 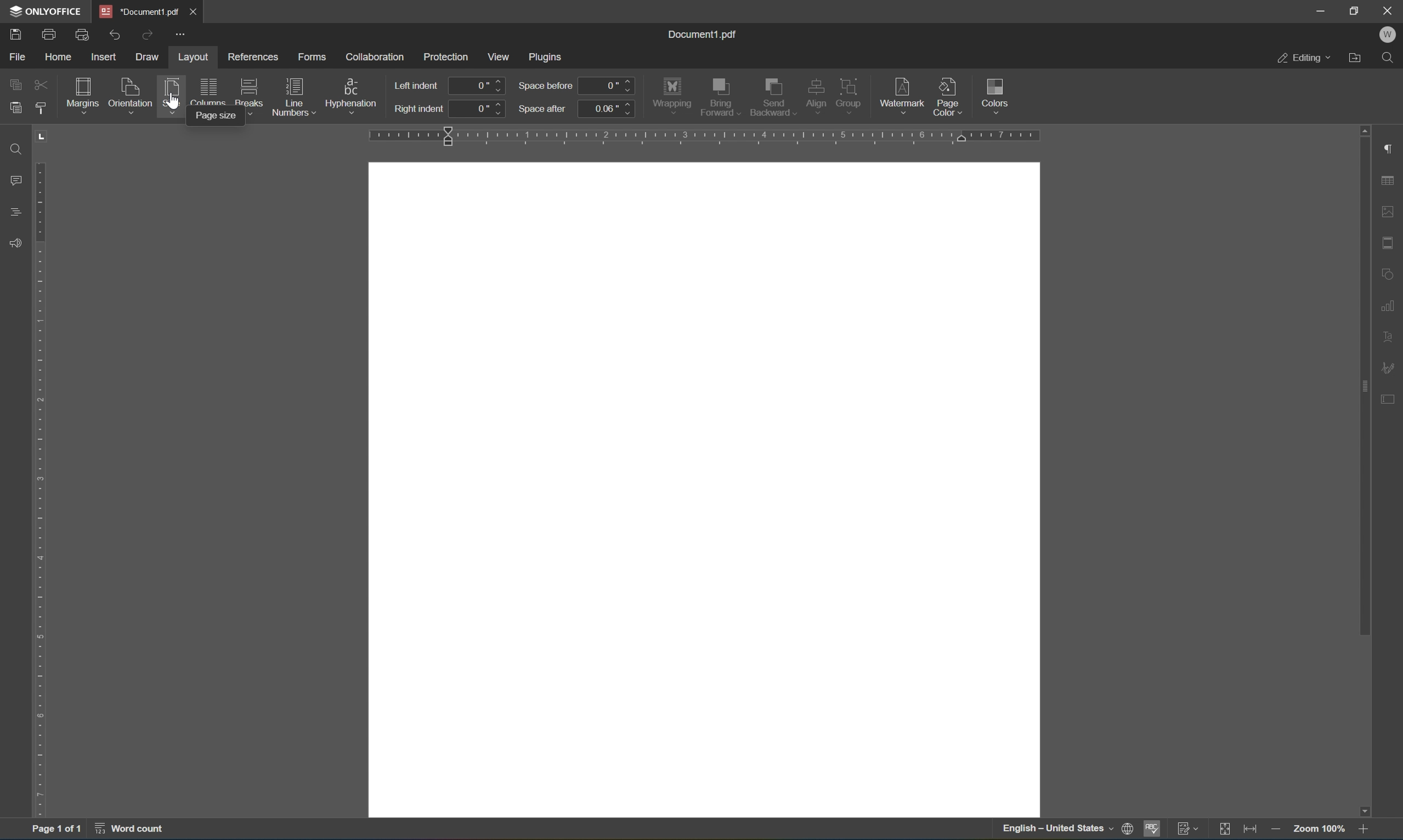 I want to click on signature, so click(x=1391, y=366).